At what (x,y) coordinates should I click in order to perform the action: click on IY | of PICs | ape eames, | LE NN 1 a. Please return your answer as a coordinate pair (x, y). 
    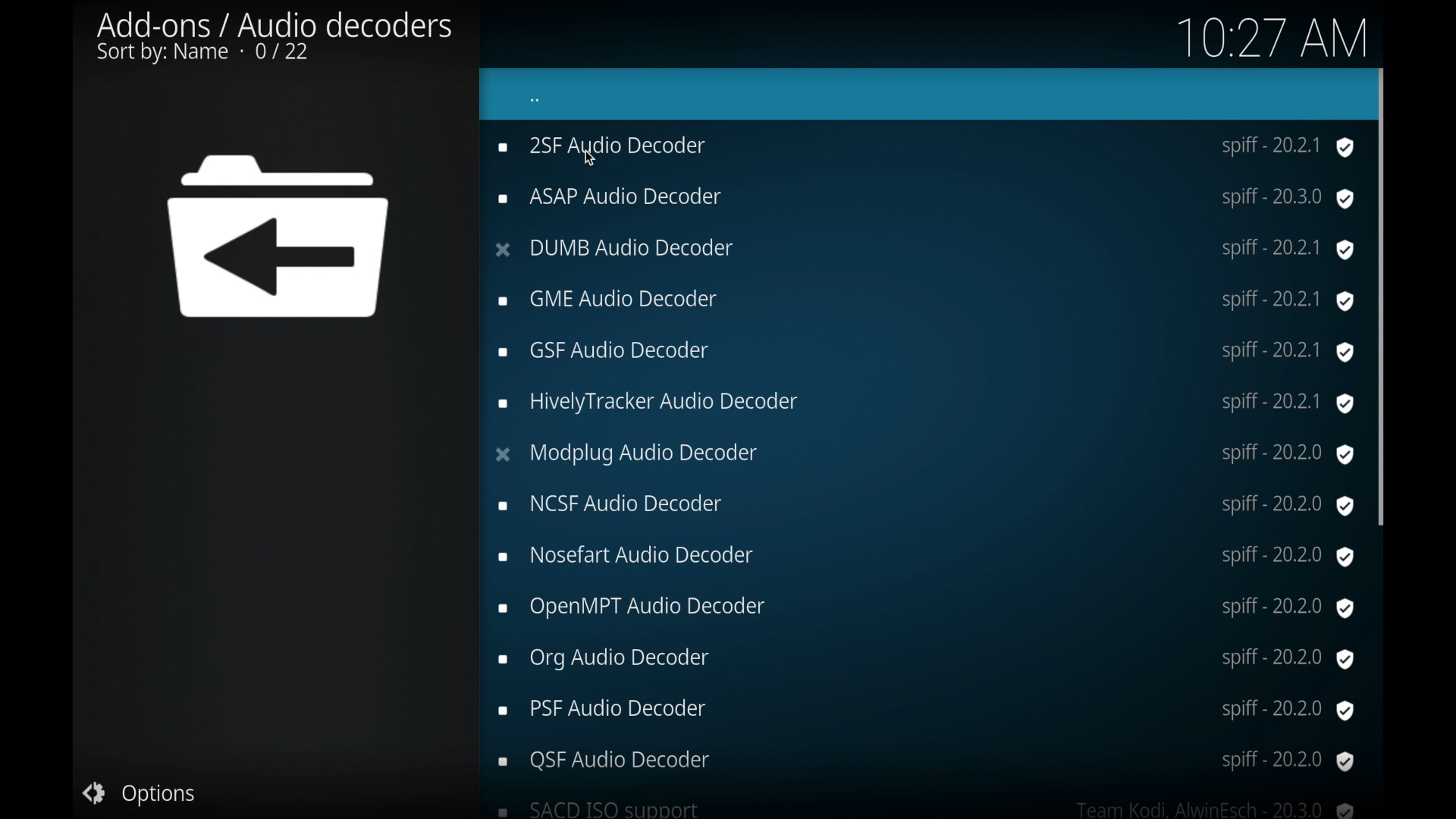
    Looking at the image, I should click on (924, 247).